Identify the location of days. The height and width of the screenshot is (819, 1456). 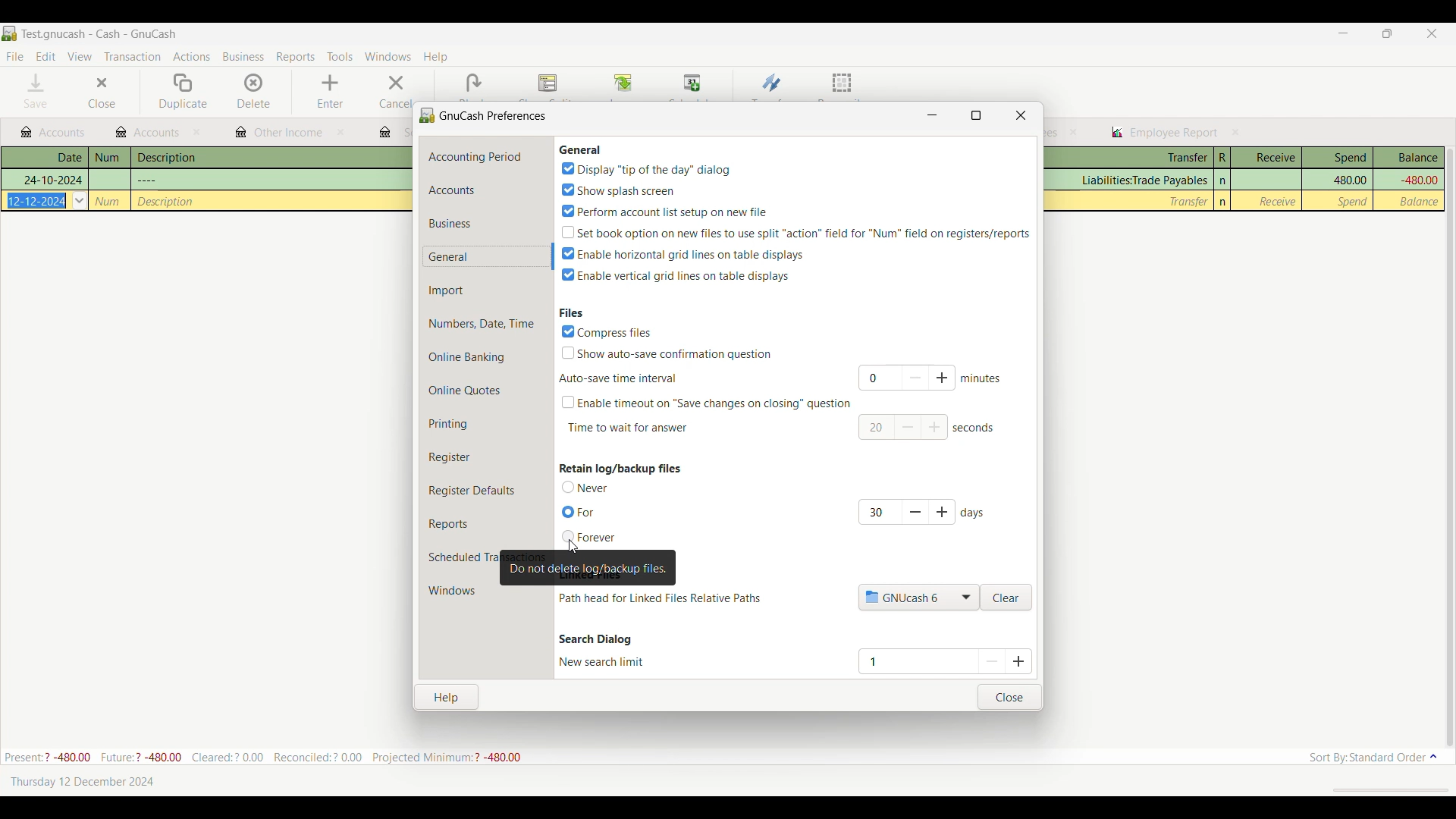
(975, 513).